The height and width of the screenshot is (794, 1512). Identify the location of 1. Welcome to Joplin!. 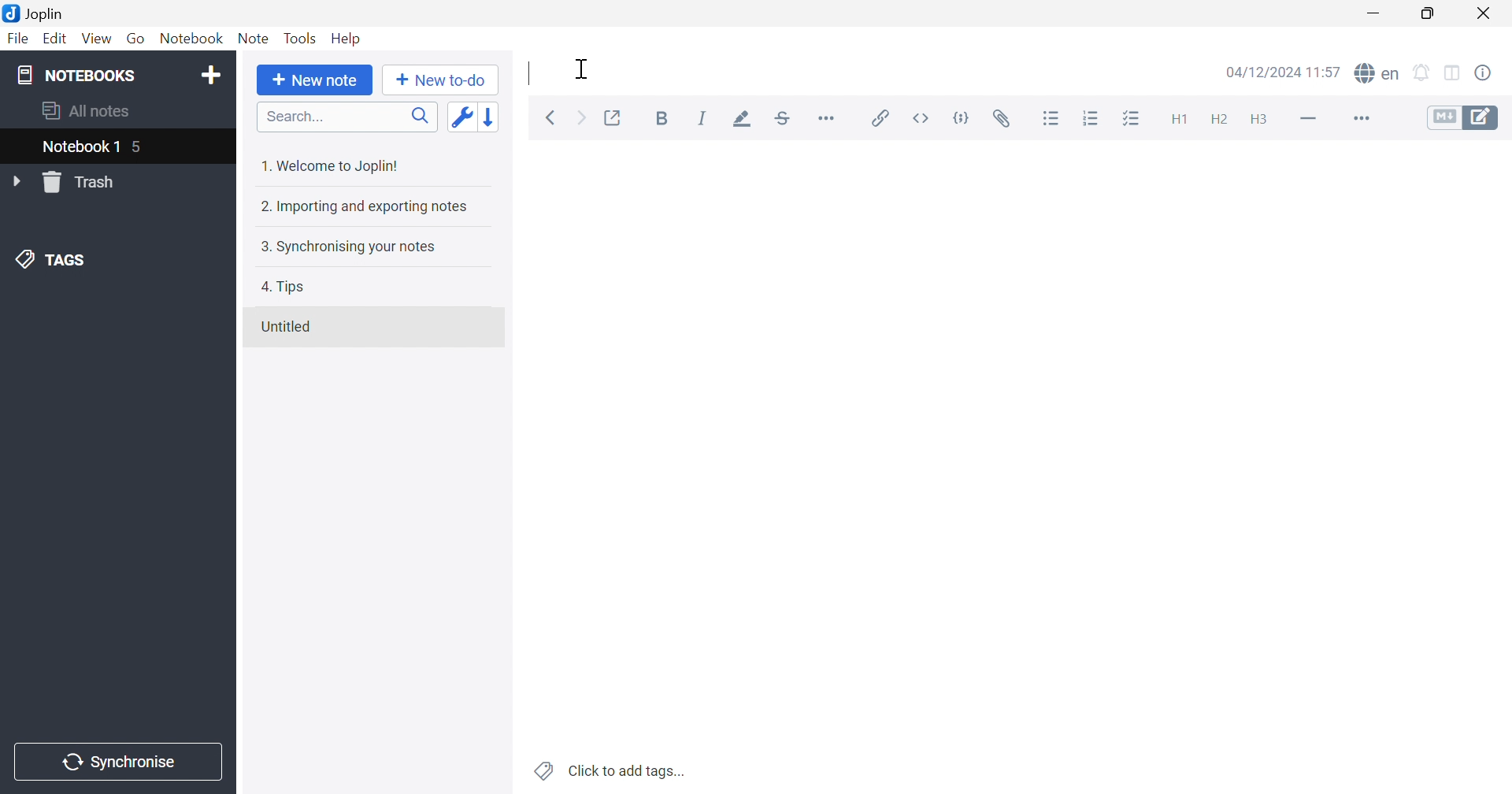
(329, 167).